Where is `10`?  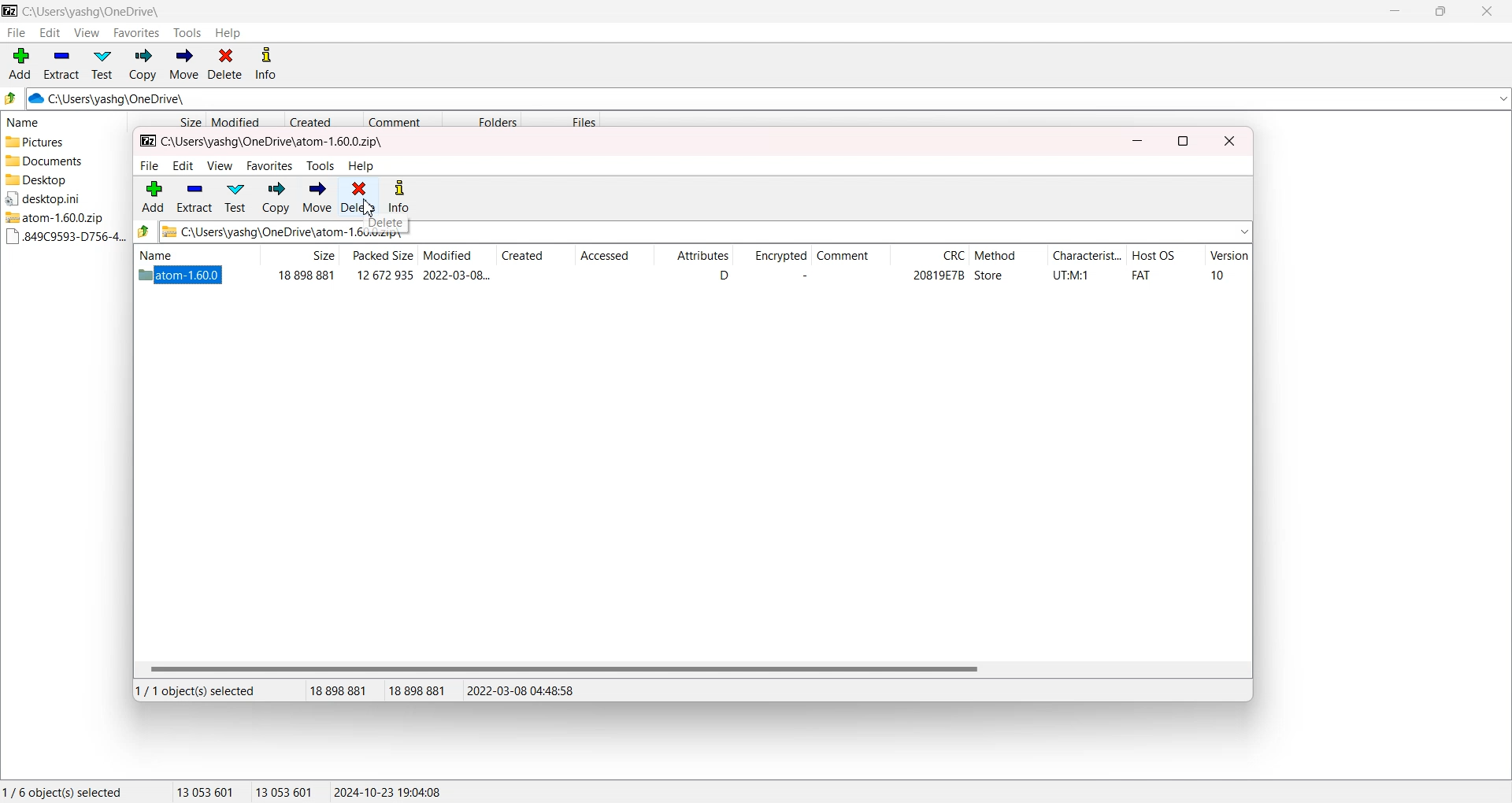
10 is located at coordinates (1217, 275).